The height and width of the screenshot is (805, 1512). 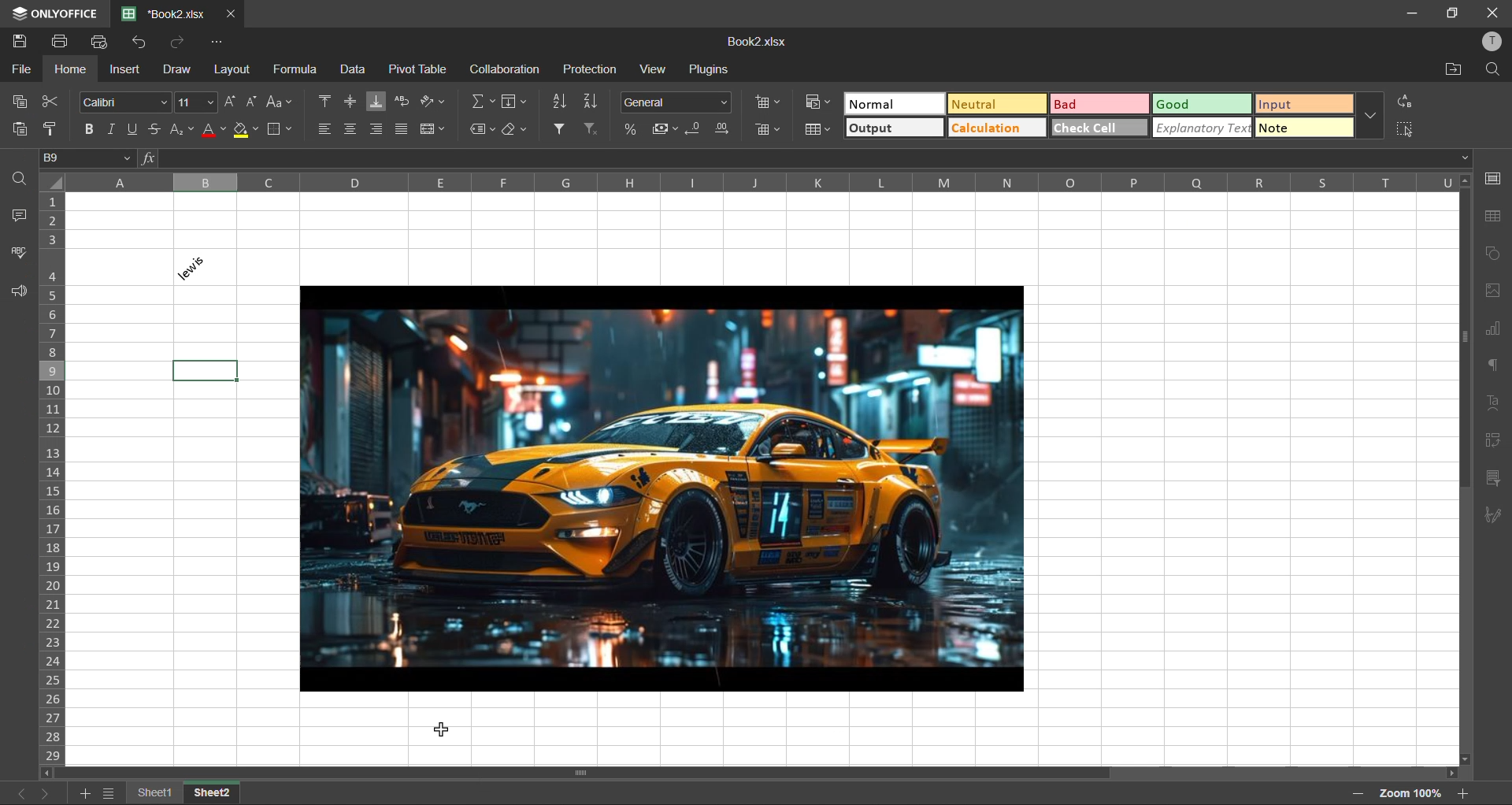 I want to click on sheetlist, so click(x=108, y=793).